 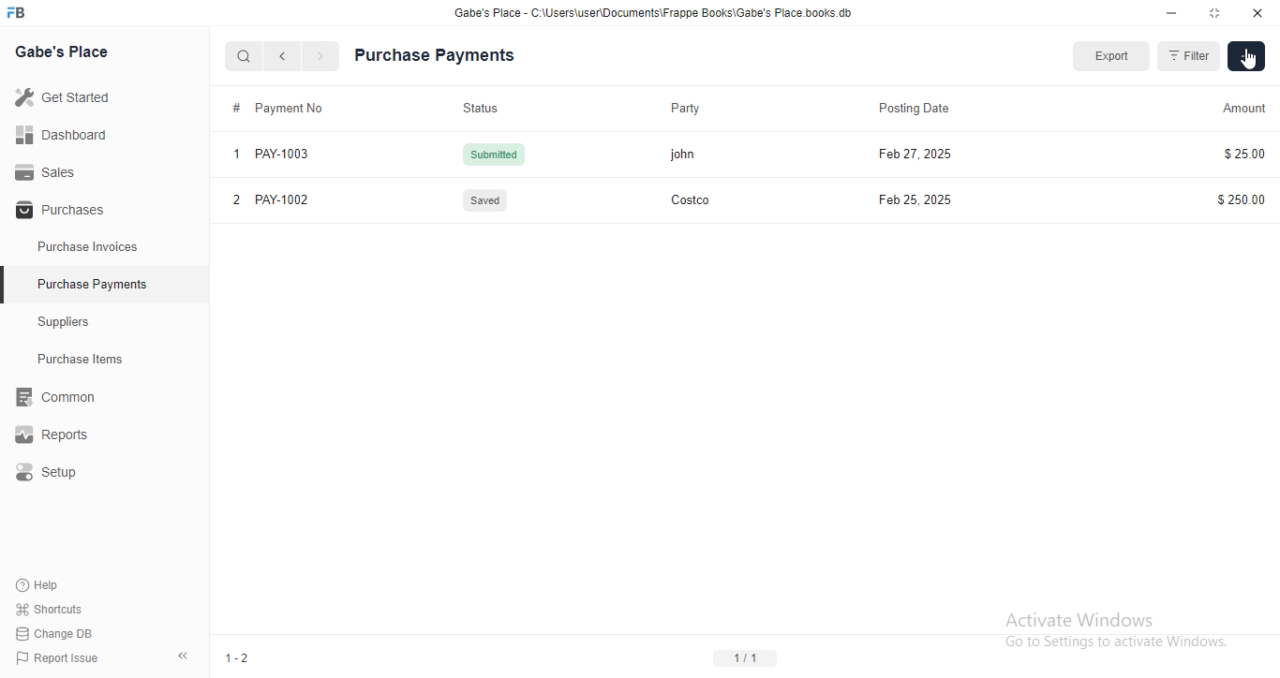 I want to click on resize, so click(x=1213, y=13).